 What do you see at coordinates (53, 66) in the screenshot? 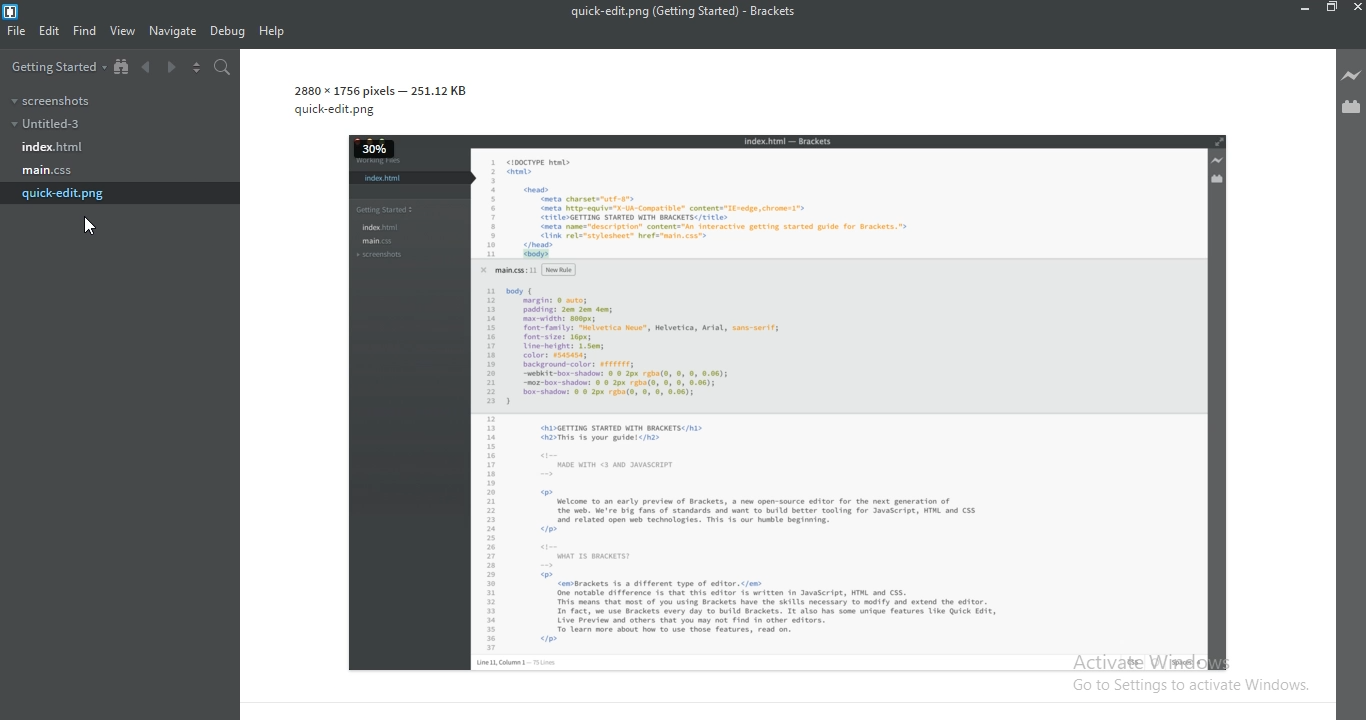
I see `getting started` at bounding box center [53, 66].